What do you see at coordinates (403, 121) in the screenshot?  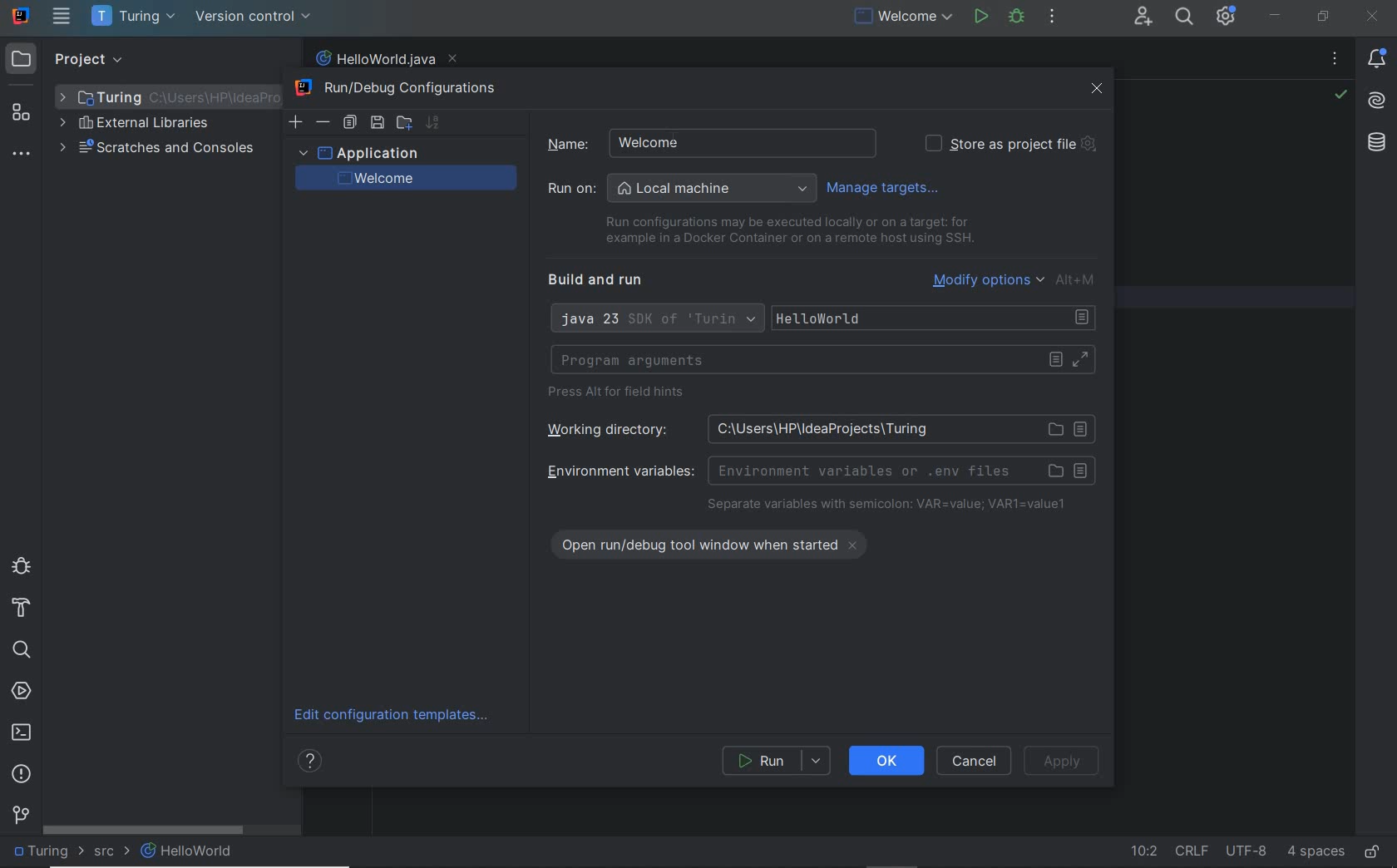 I see `CREATE NEW FOLDER` at bounding box center [403, 121].